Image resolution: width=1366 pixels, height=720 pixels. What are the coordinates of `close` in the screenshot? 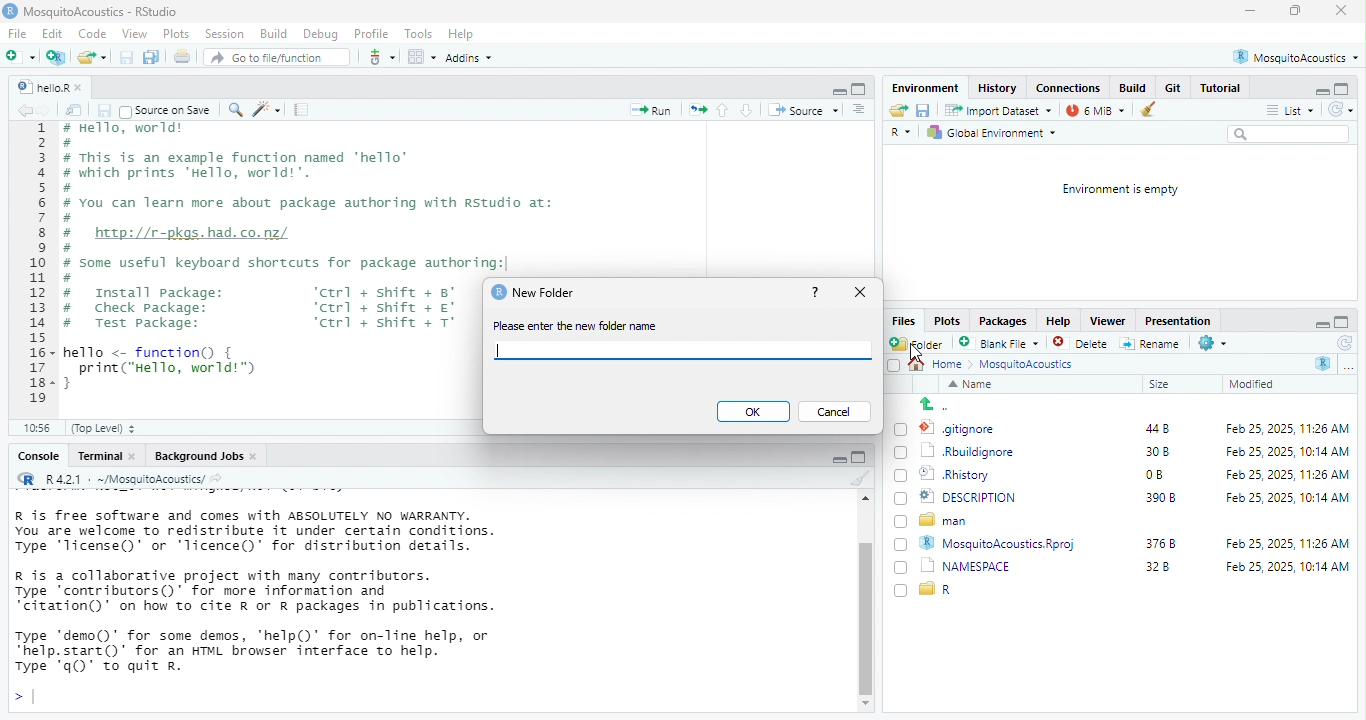 It's located at (84, 85).